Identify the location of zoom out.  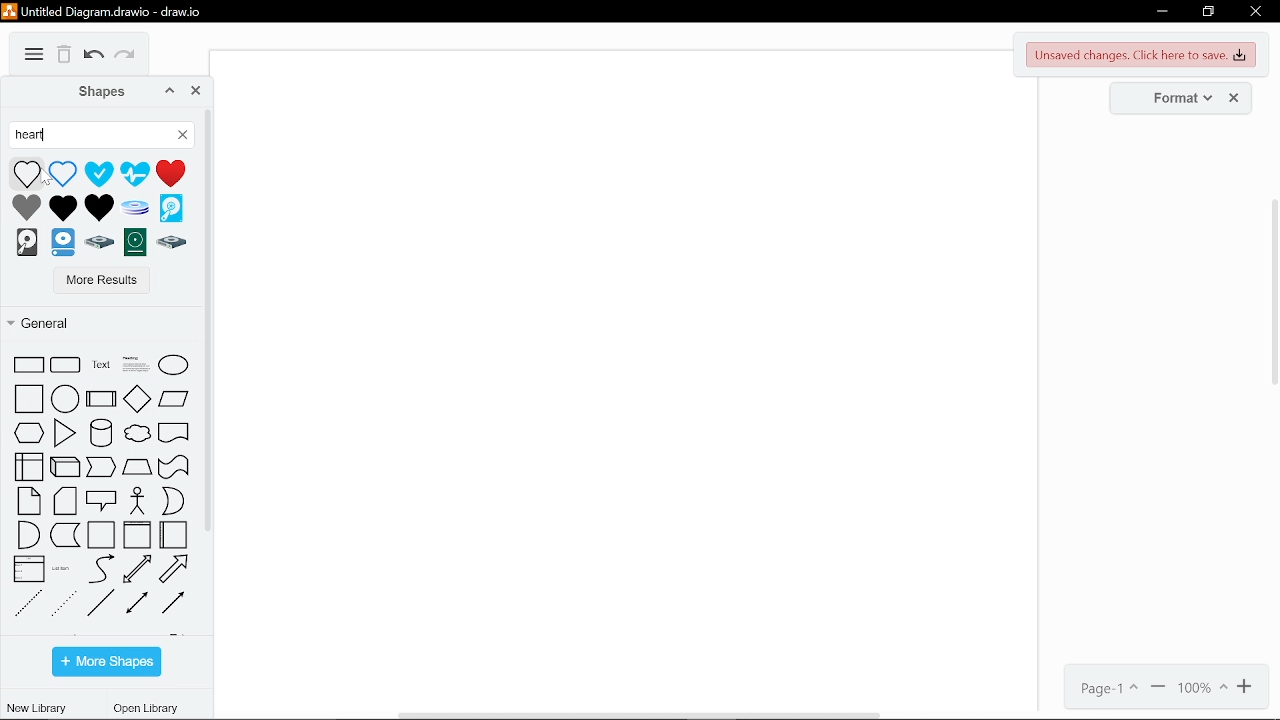
(1159, 688).